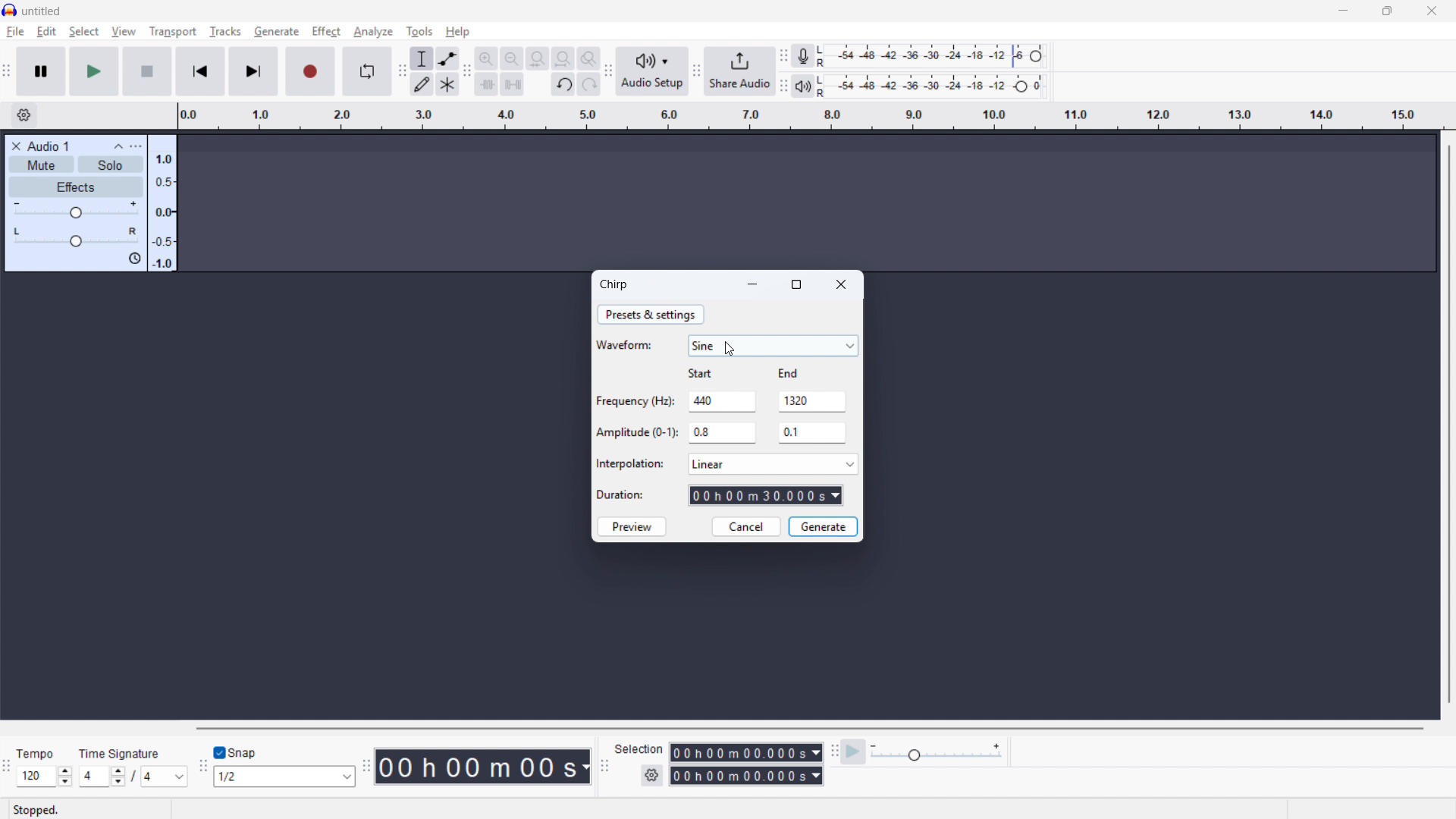 This screenshot has height=819, width=1456. Describe the element at coordinates (38, 754) in the screenshot. I see `tempo` at that location.